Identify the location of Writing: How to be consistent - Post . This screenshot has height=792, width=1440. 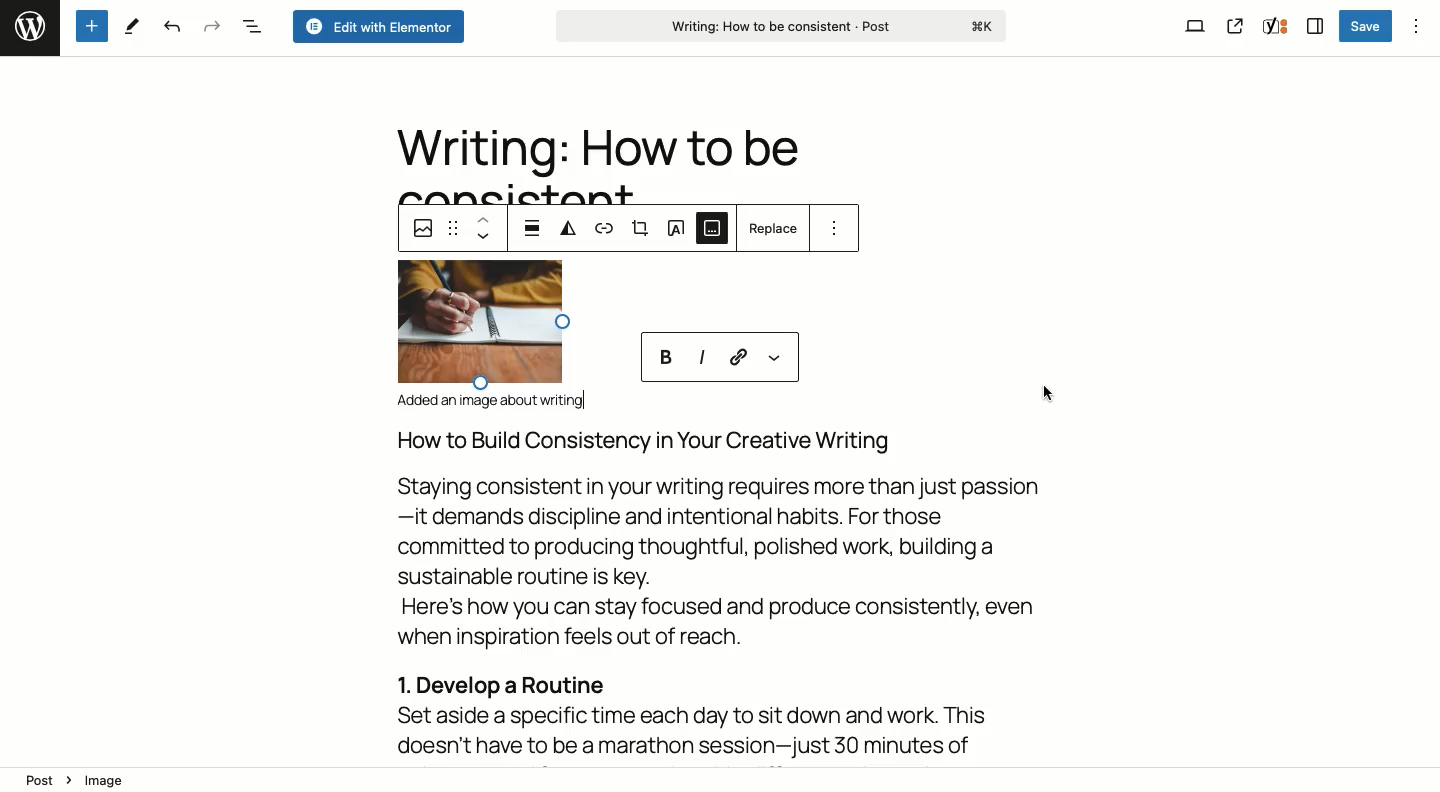
(784, 27).